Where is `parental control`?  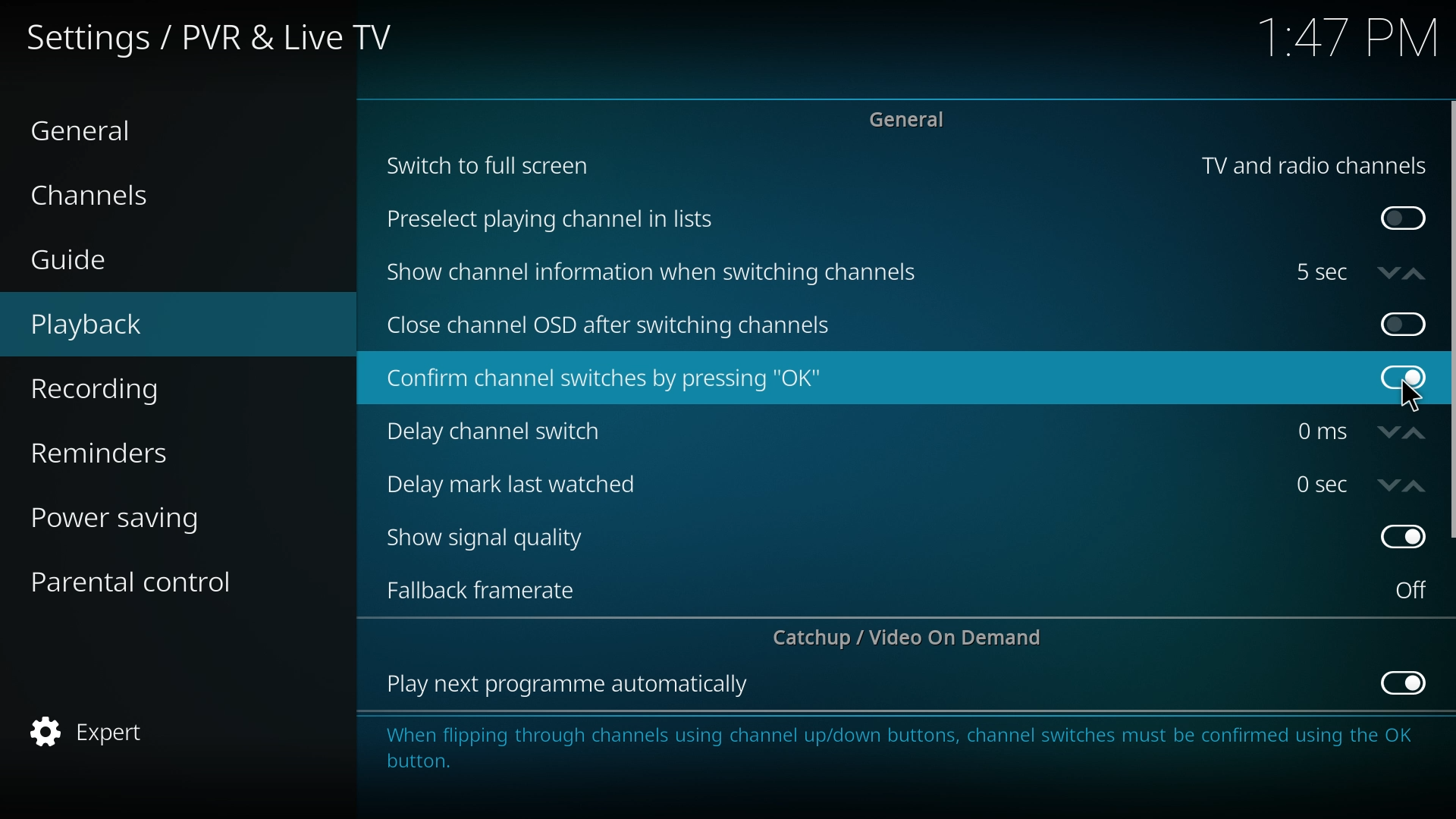 parental control is located at coordinates (146, 580).